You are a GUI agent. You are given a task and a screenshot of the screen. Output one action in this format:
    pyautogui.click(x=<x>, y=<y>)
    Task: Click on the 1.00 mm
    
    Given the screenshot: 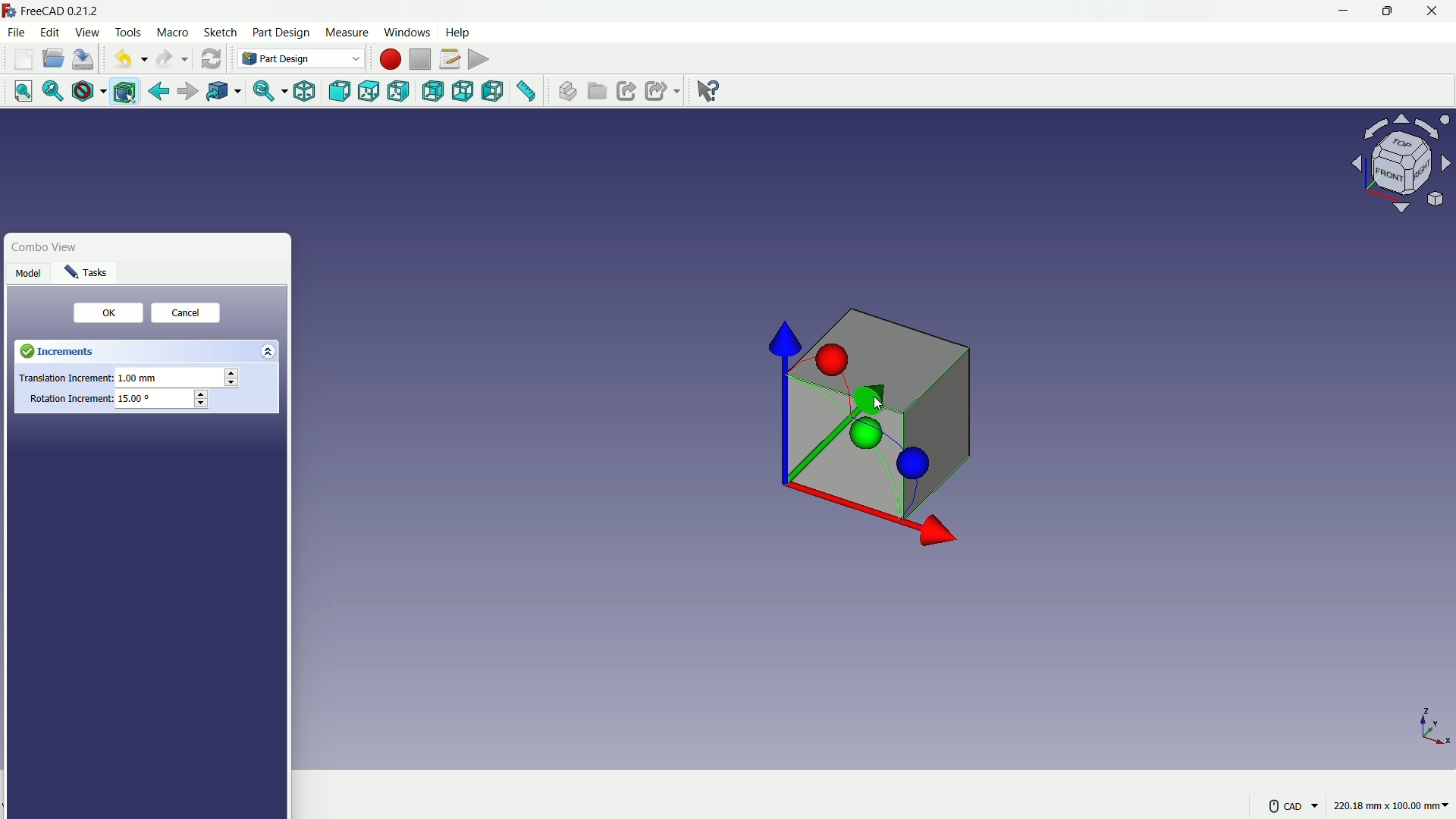 What is the action you would take?
    pyautogui.click(x=140, y=378)
    